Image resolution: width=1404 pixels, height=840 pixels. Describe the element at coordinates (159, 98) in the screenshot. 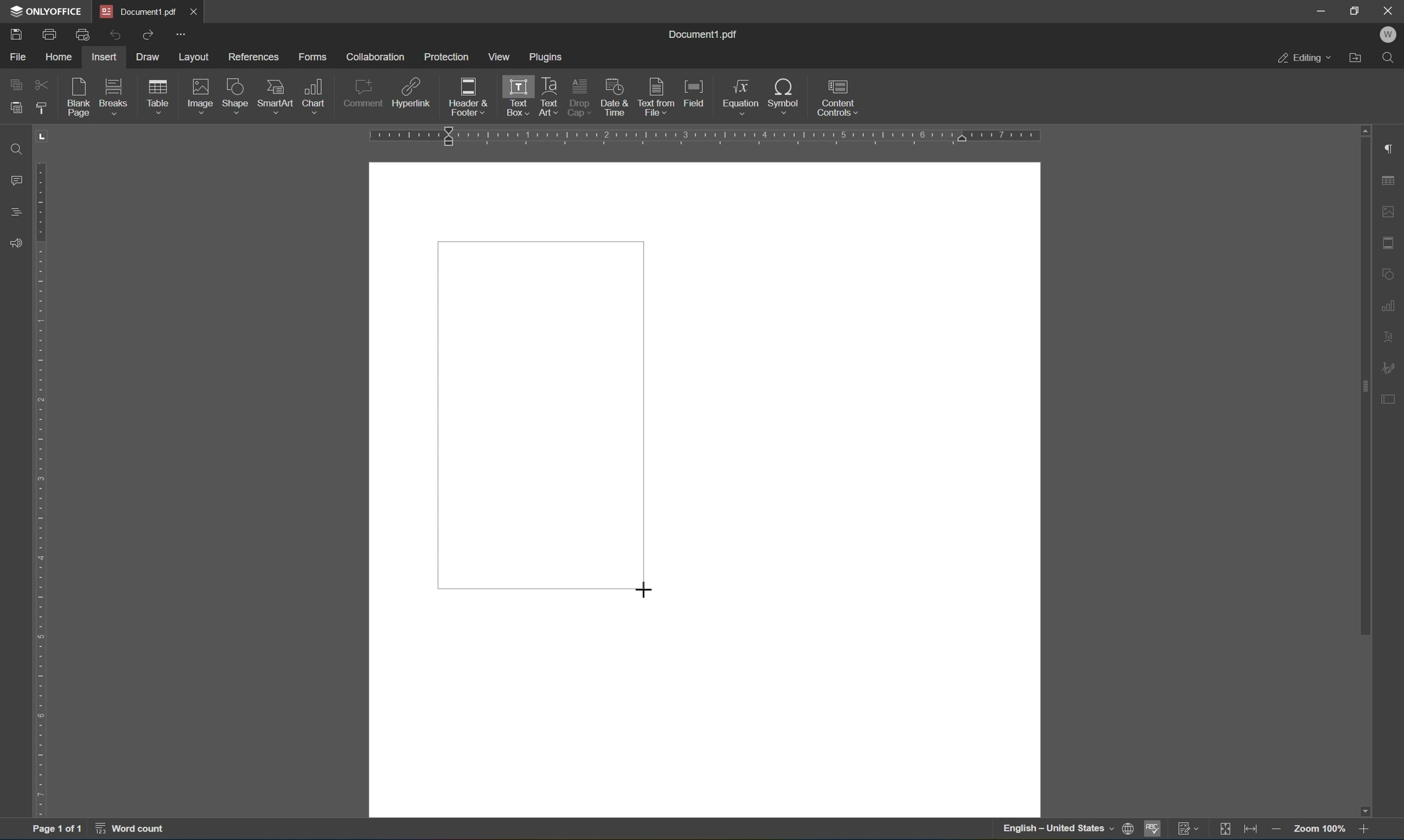

I see `table` at that location.